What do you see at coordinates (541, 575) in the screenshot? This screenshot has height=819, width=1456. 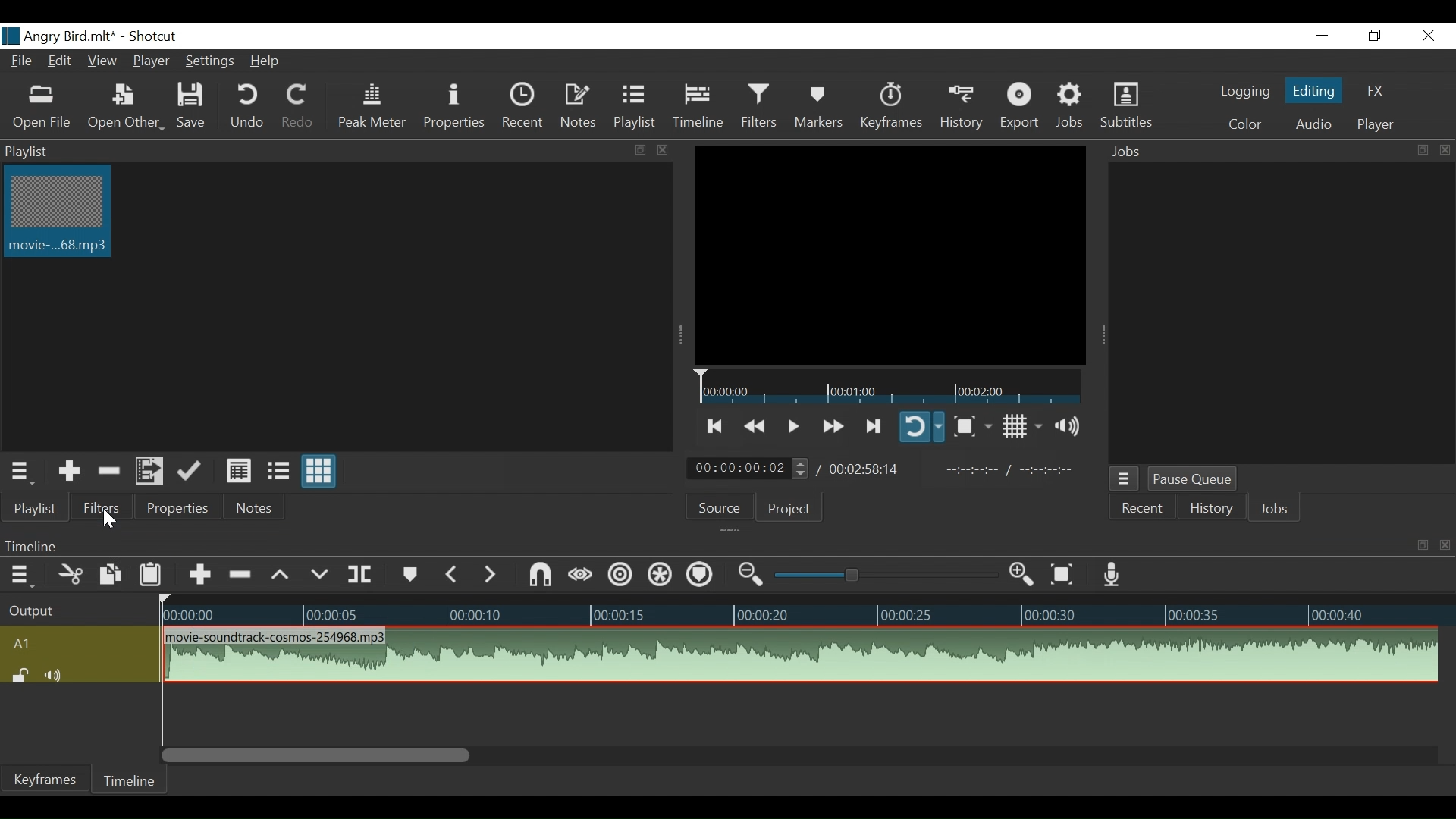 I see `Snap` at bounding box center [541, 575].